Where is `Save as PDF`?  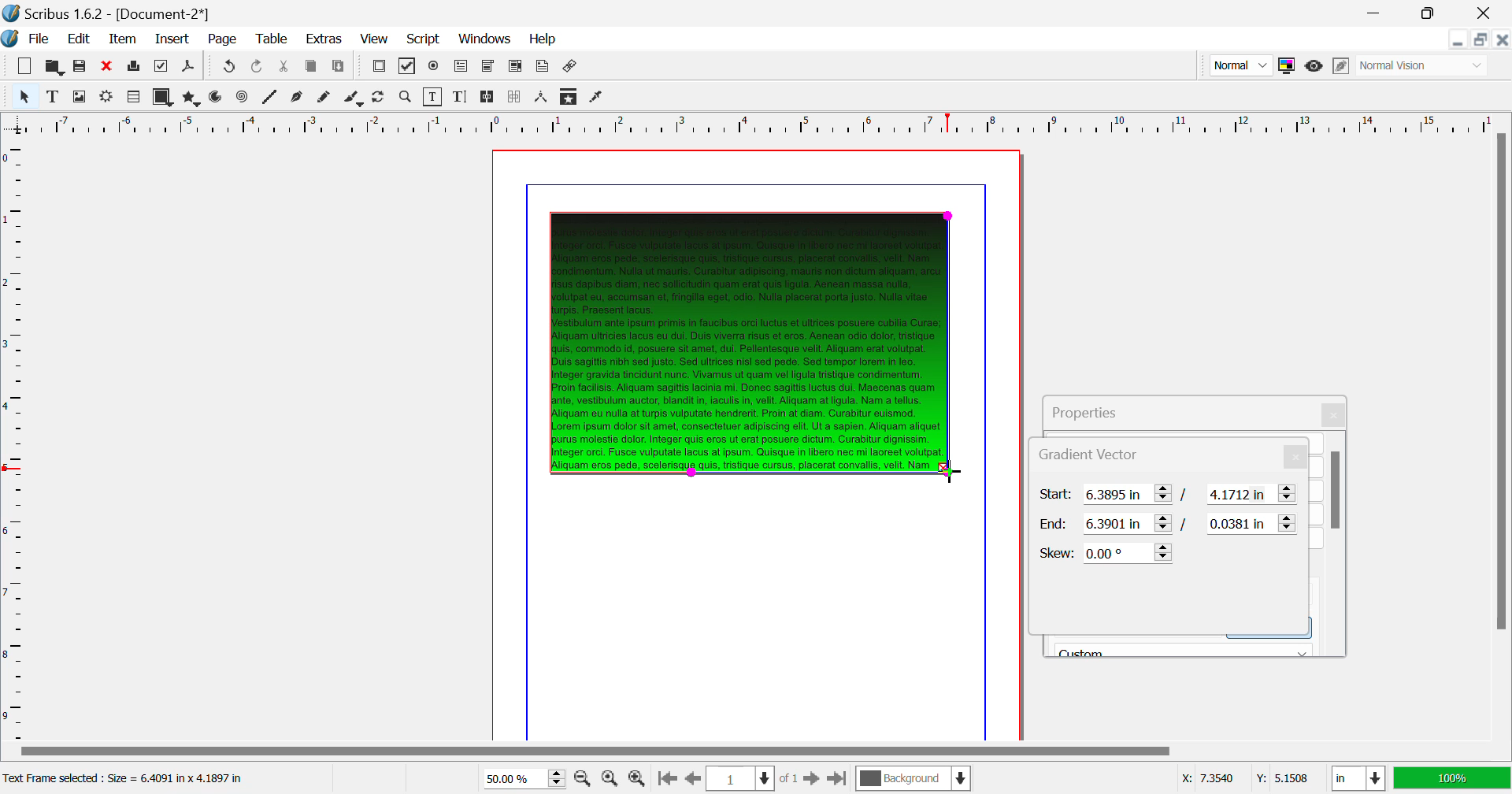 Save as PDF is located at coordinates (189, 68).